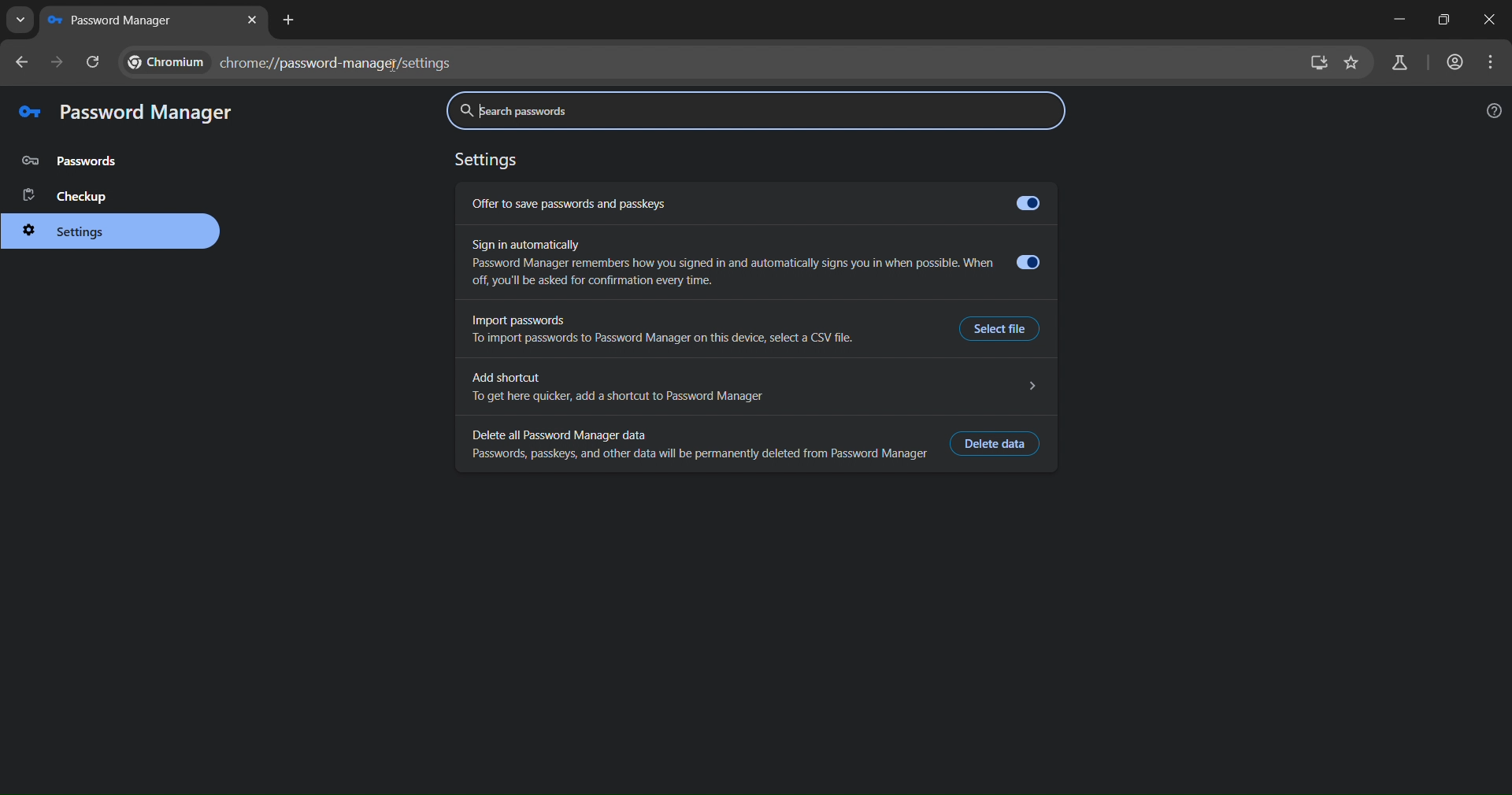 This screenshot has height=795, width=1512. Describe the element at coordinates (1443, 20) in the screenshot. I see `restore down` at that location.